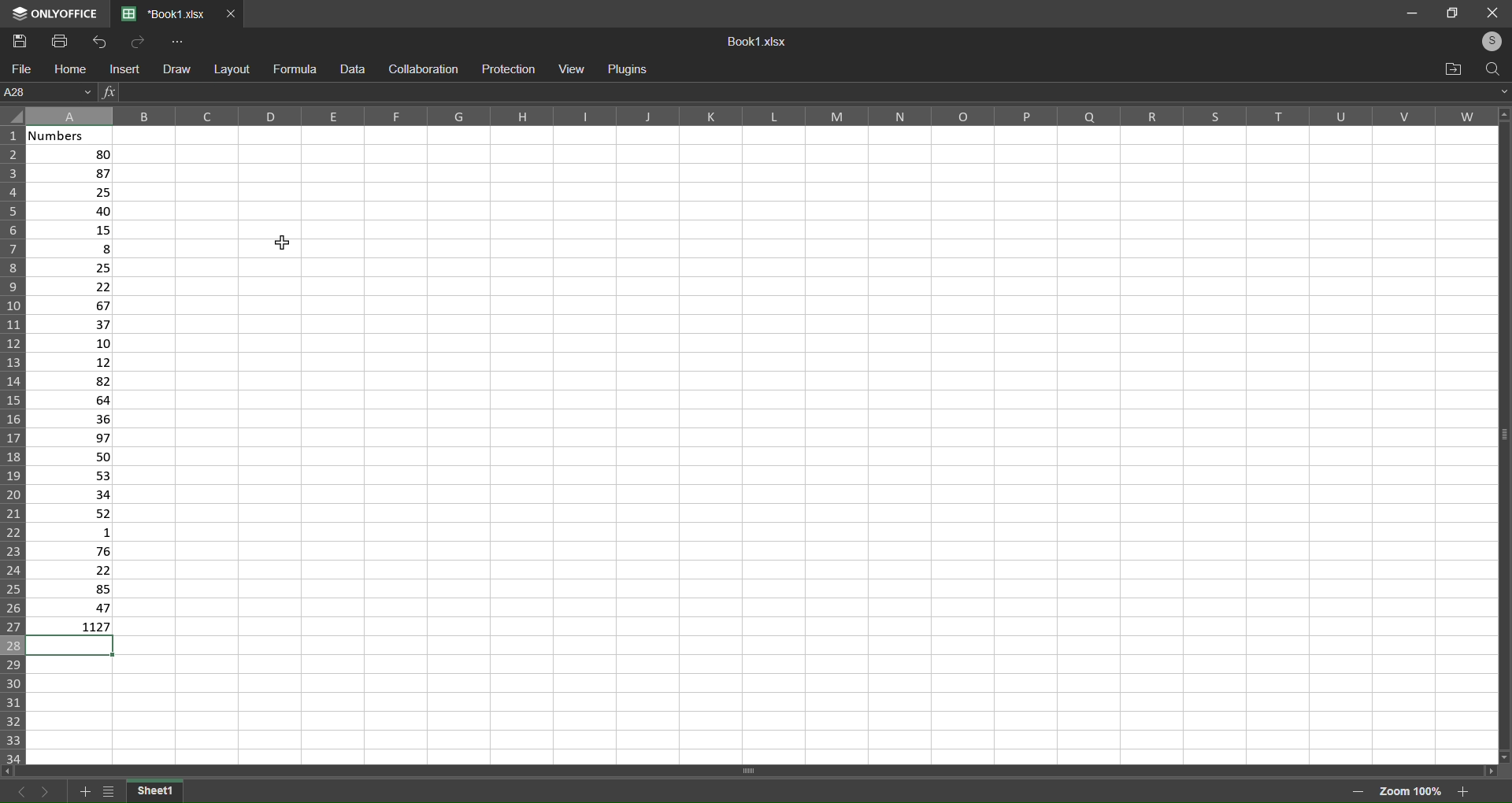  I want to click on horizontal scroll bar, so click(752, 770).